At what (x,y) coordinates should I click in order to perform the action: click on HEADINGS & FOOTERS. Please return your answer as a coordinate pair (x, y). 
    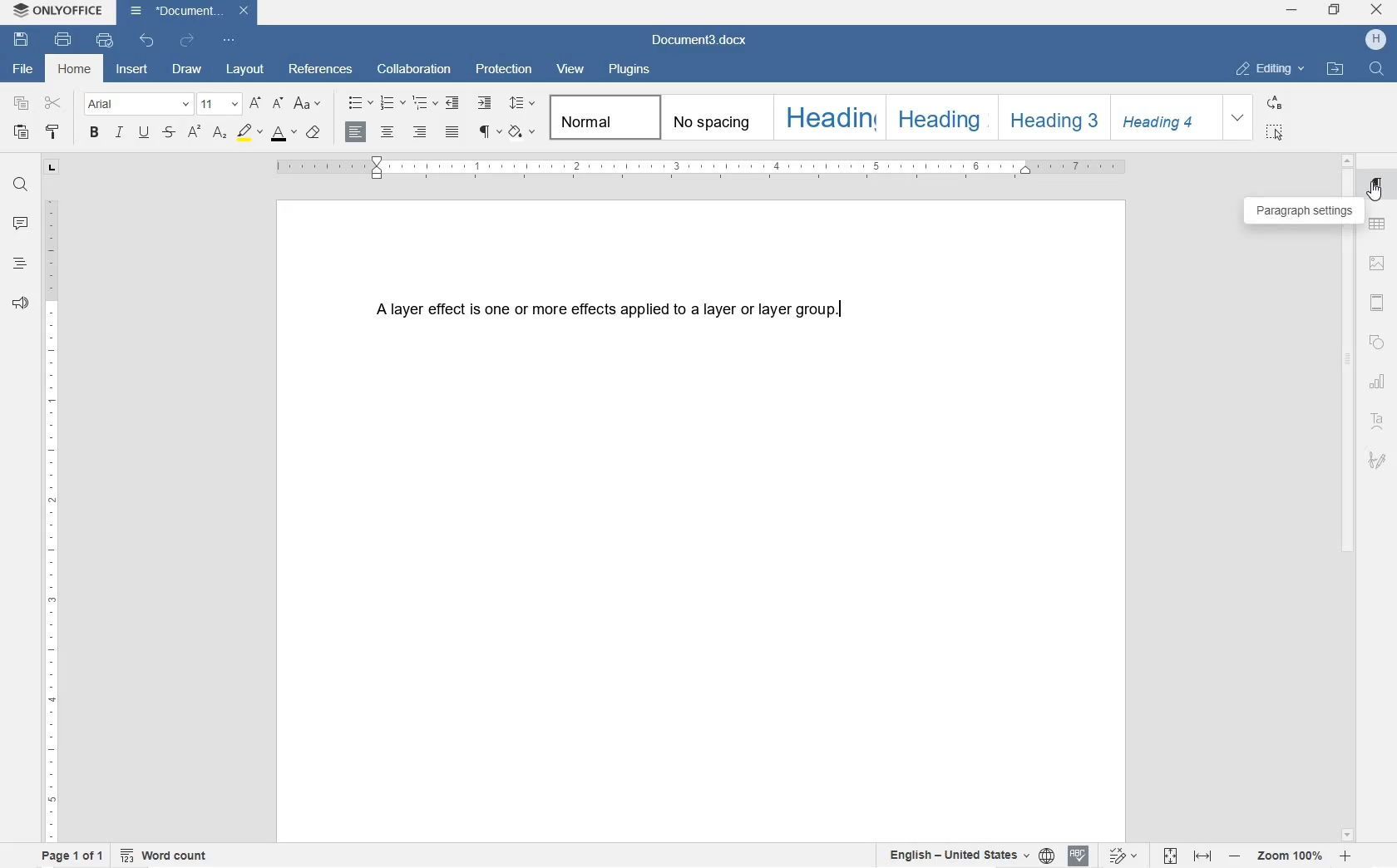
    Looking at the image, I should click on (1376, 302).